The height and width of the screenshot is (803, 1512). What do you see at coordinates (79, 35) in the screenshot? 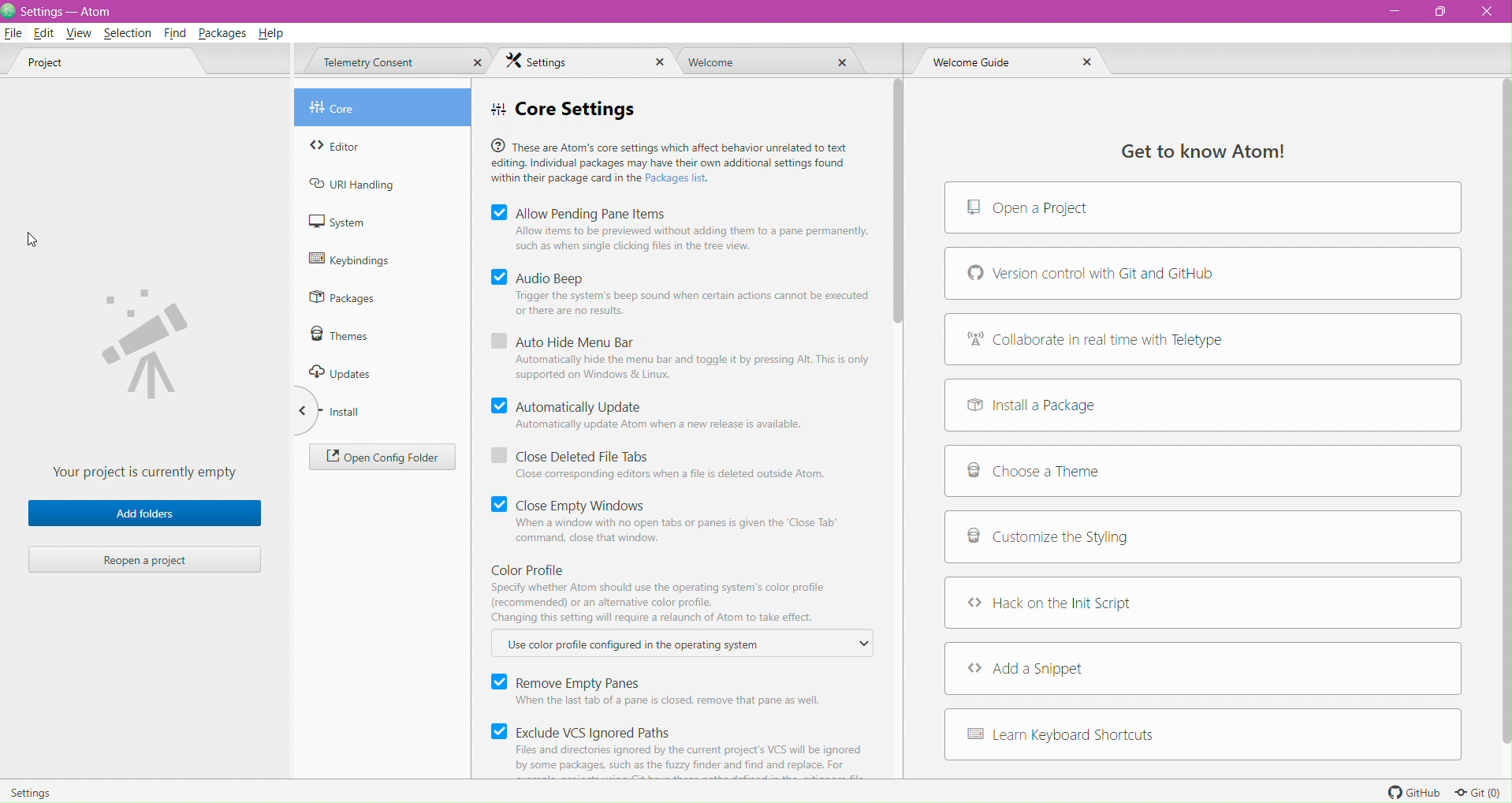
I see `View` at bounding box center [79, 35].